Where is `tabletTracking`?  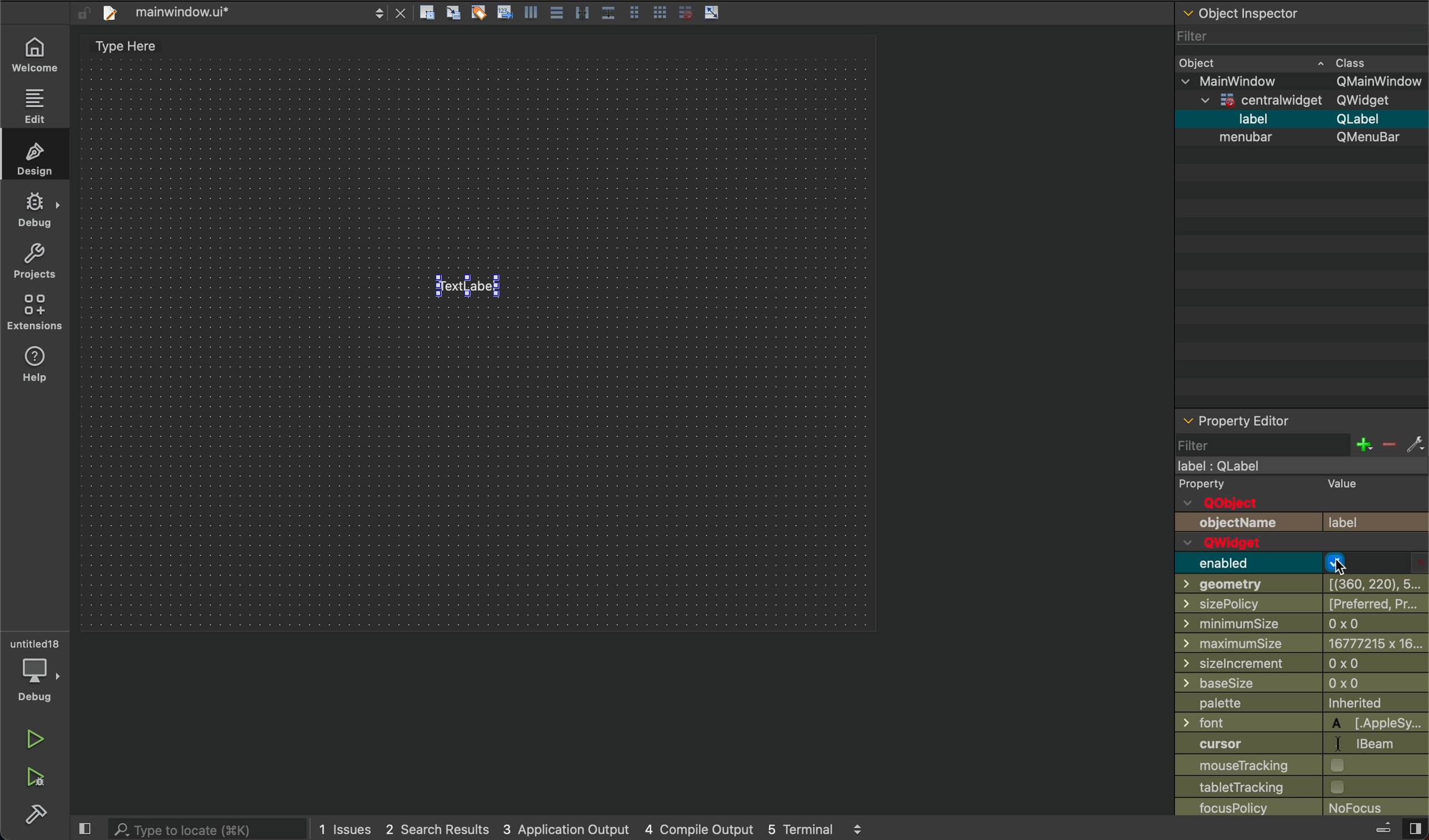 tabletTracking is located at coordinates (1238, 787).